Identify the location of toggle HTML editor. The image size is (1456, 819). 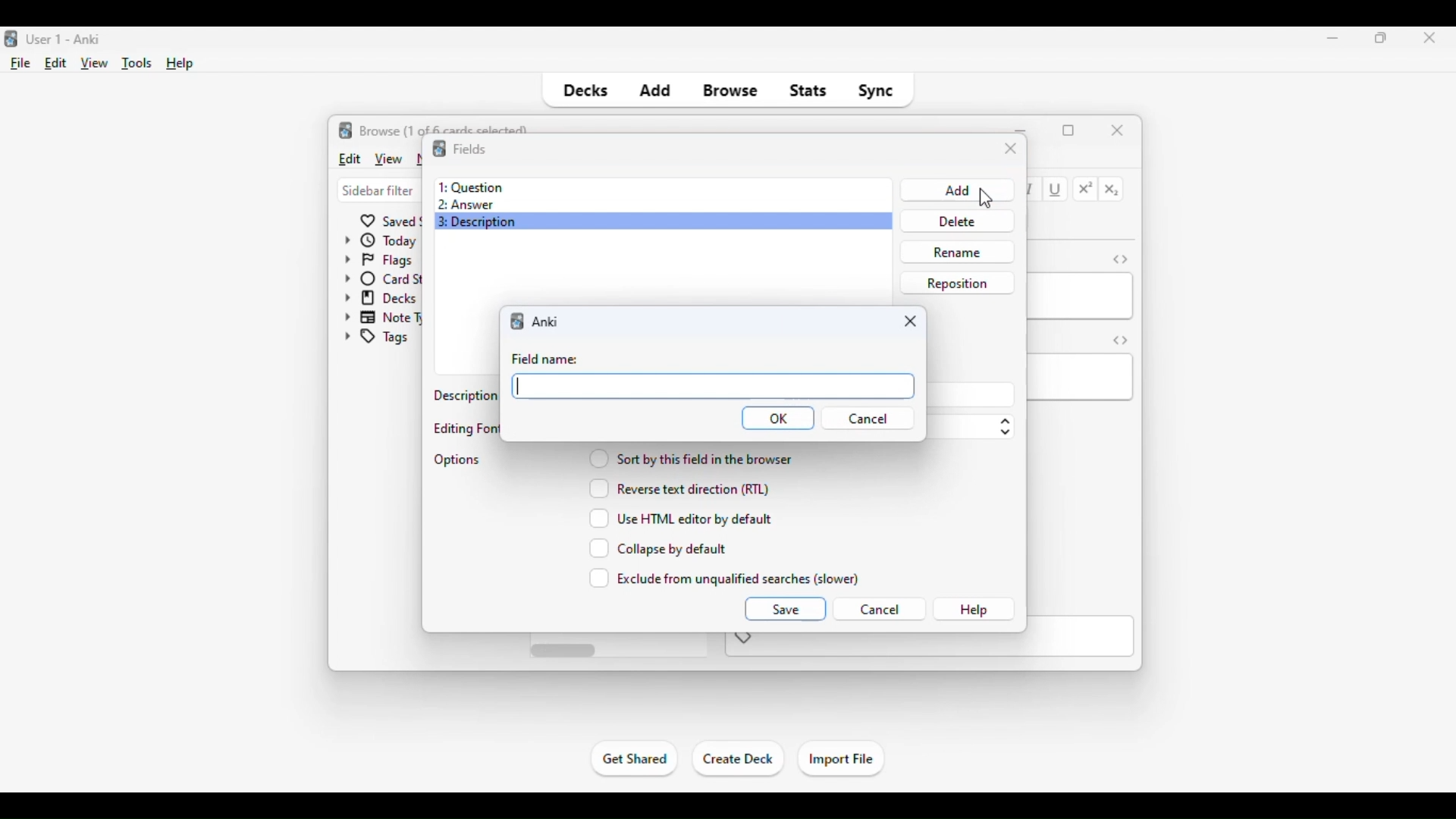
(1121, 340).